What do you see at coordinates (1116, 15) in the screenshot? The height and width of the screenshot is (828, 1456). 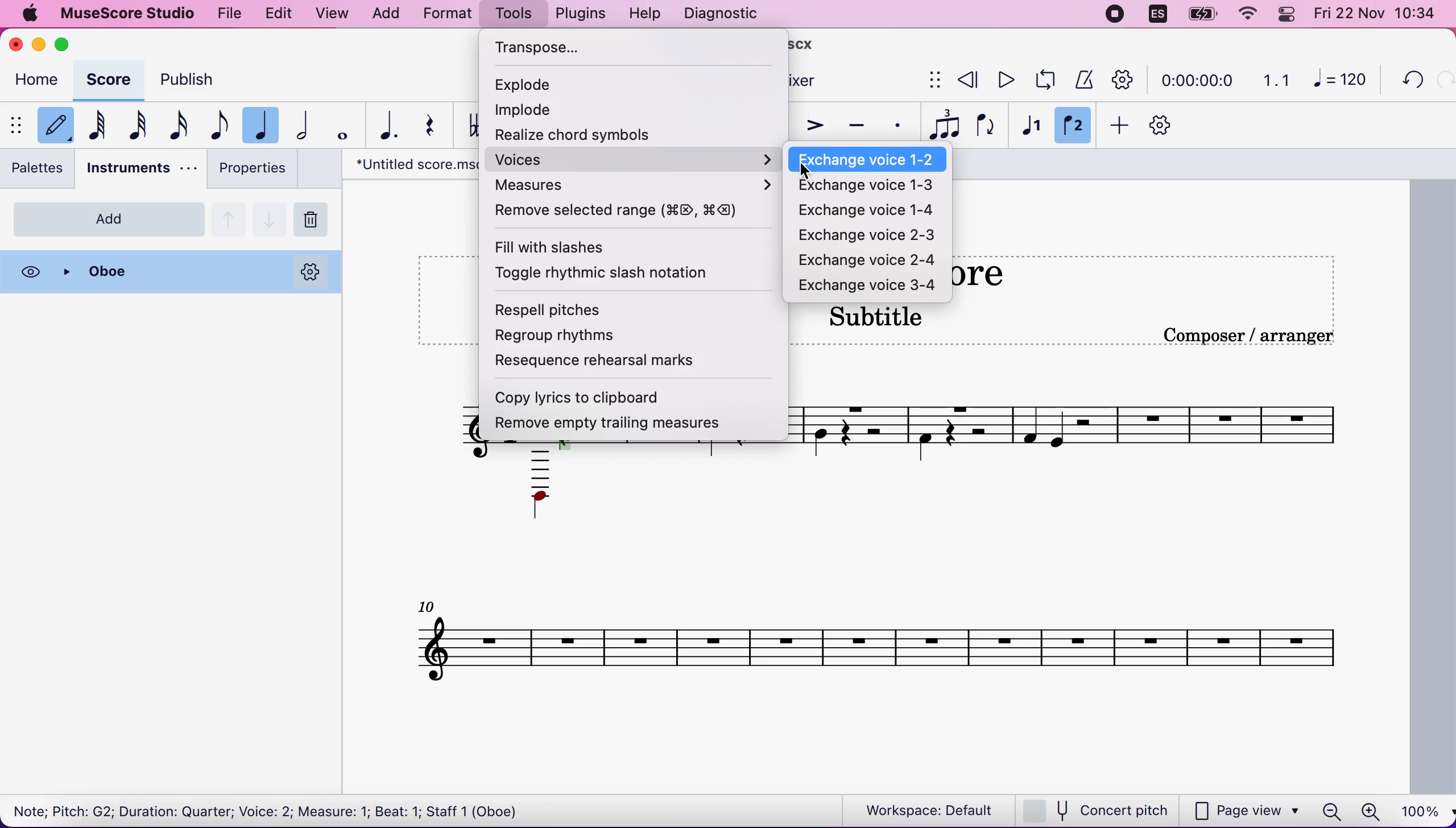 I see `recording stopped` at bounding box center [1116, 15].